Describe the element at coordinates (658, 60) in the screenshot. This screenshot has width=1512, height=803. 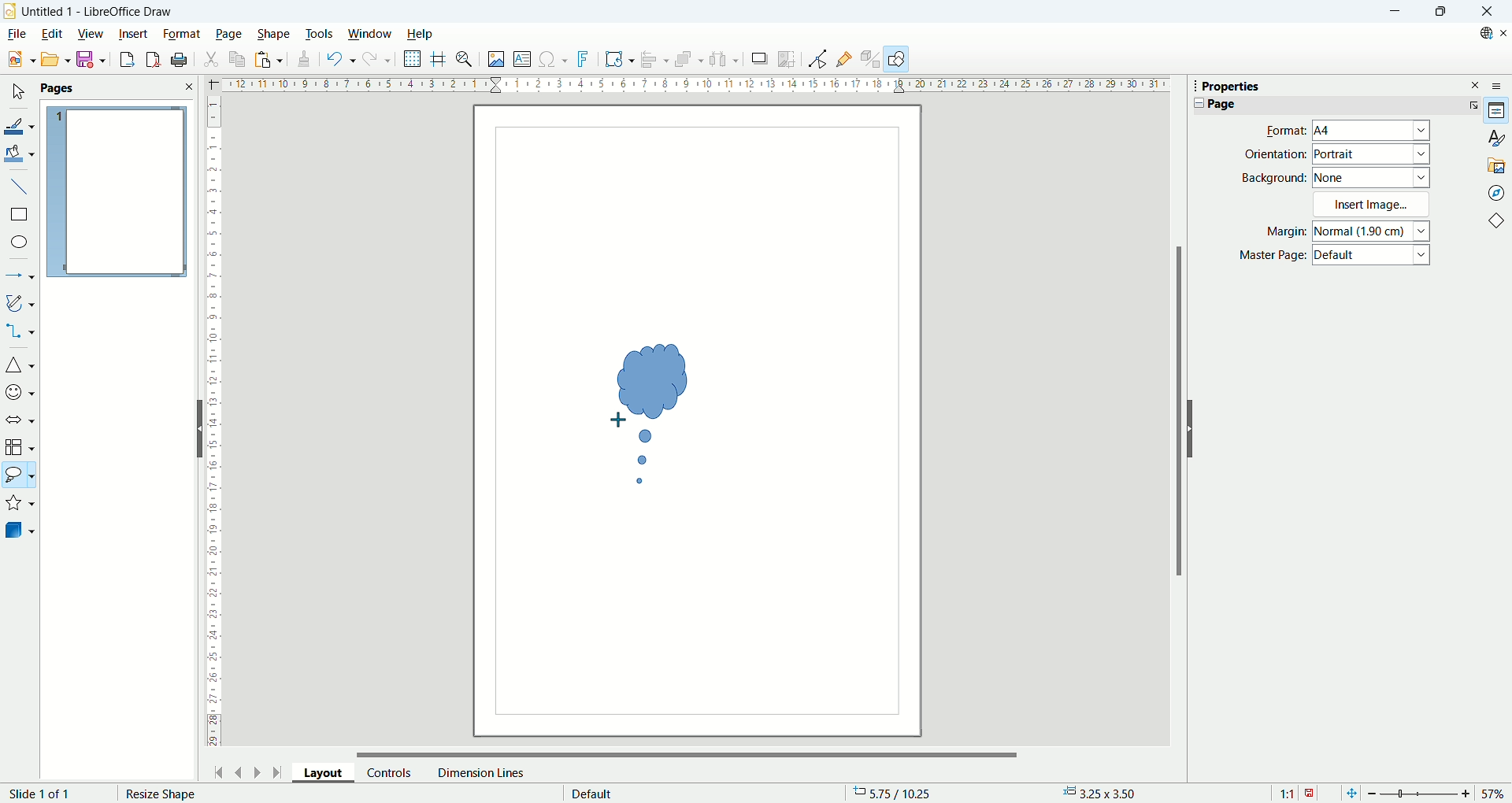
I see `align object` at that location.